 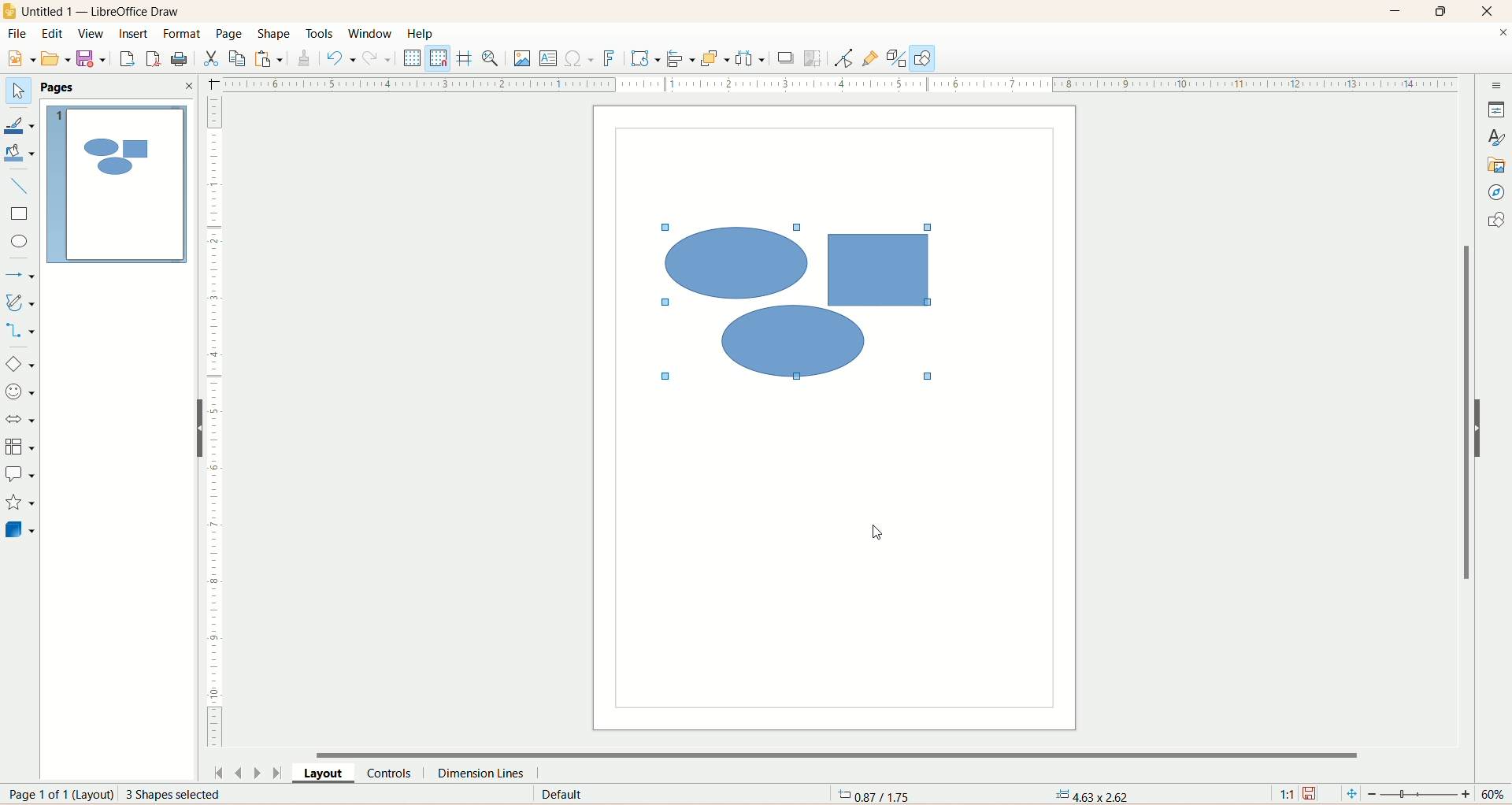 I want to click on export directly as PDF, so click(x=153, y=58).